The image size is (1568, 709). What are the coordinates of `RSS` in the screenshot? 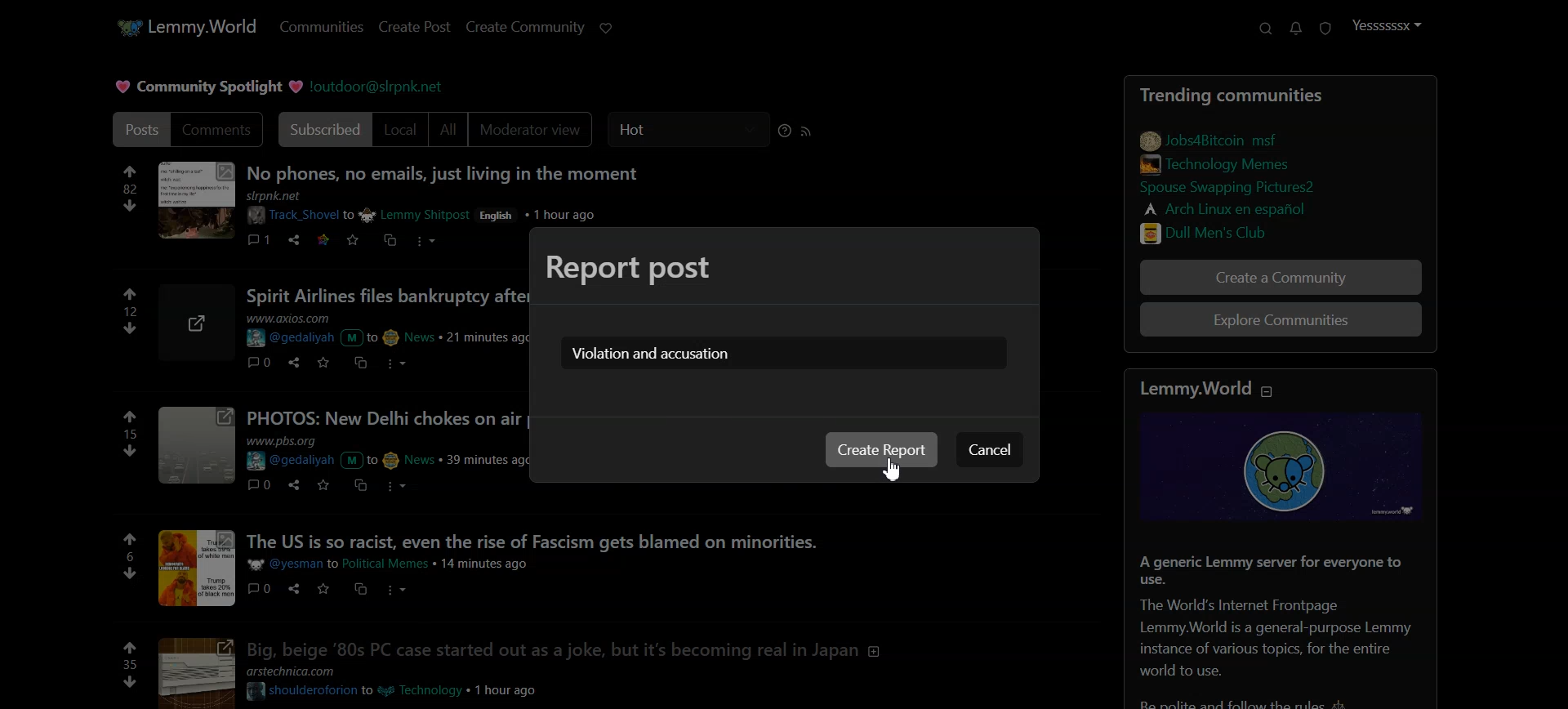 It's located at (807, 131).